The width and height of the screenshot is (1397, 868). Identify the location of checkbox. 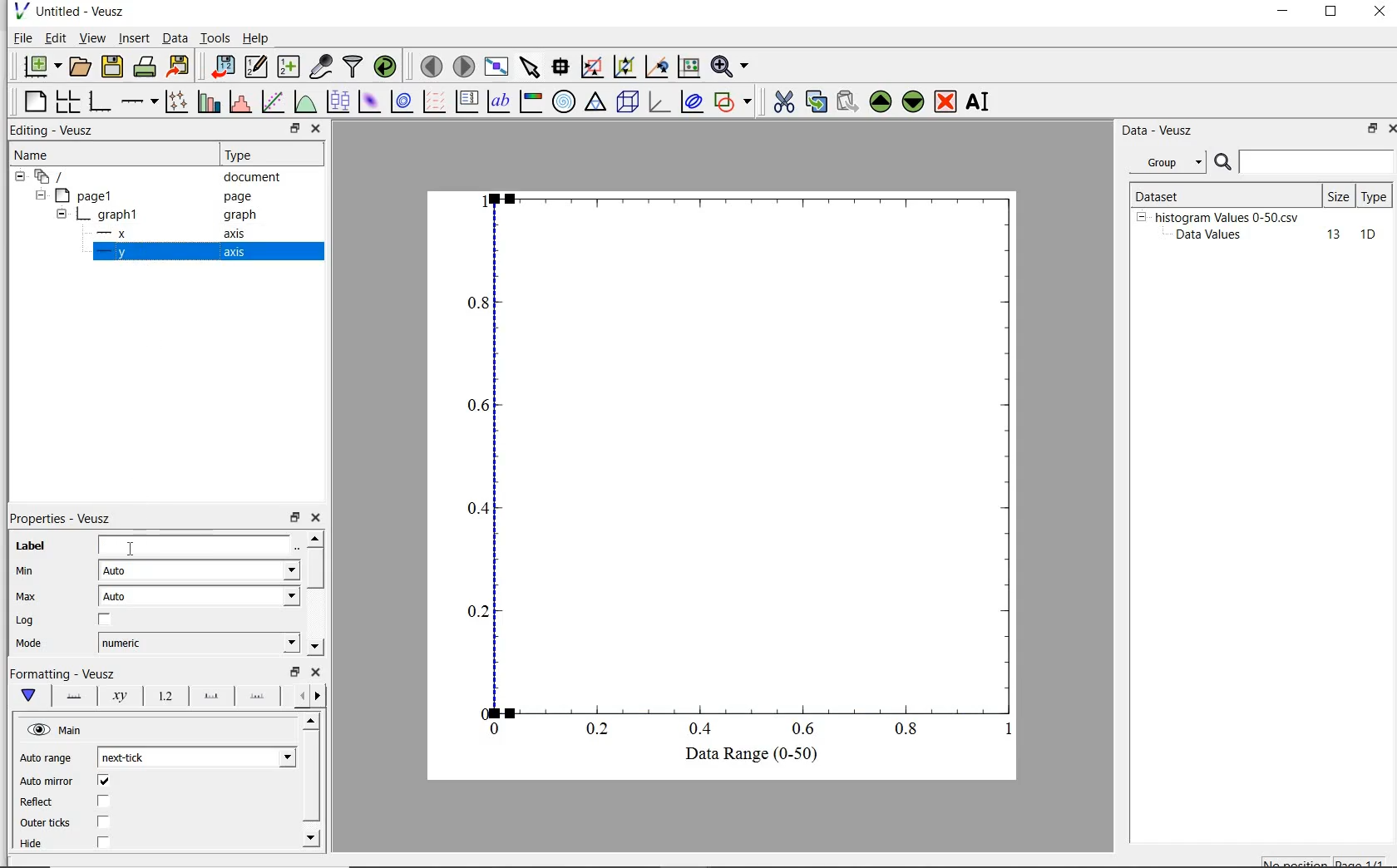
(104, 822).